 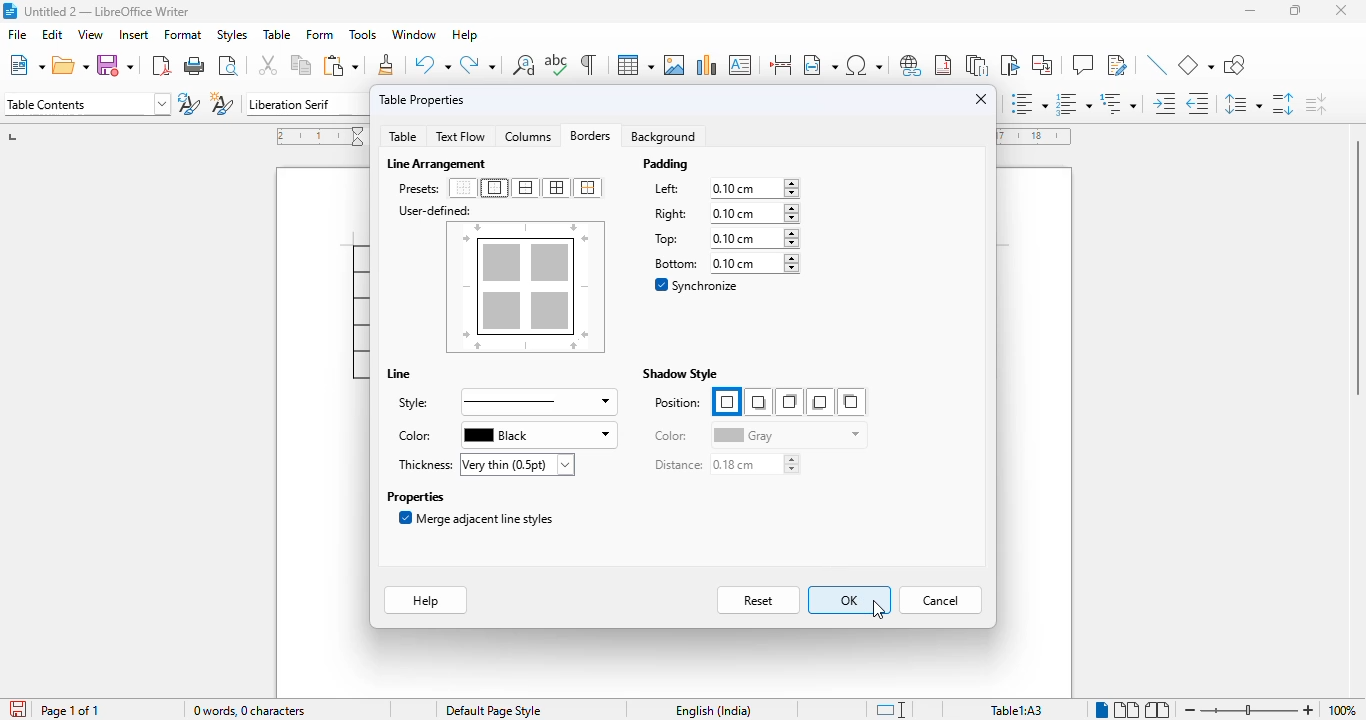 What do you see at coordinates (1351, 265) in the screenshot?
I see `vertical scroll bar` at bounding box center [1351, 265].